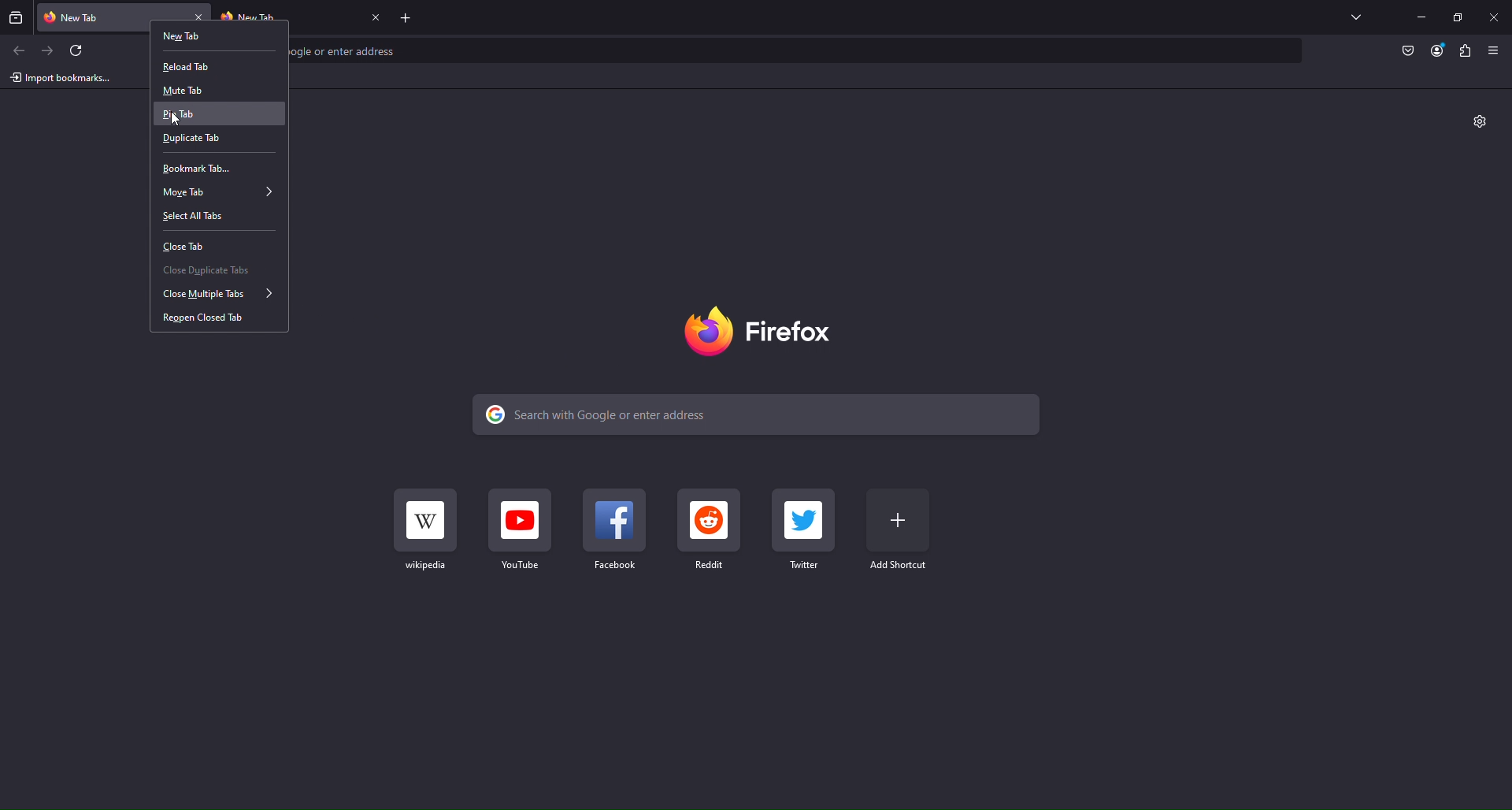 The image size is (1512, 810). What do you see at coordinates (616, 530) in the screenshot?
I see `Facebook Shortcut` at bounding box center [616, 530].